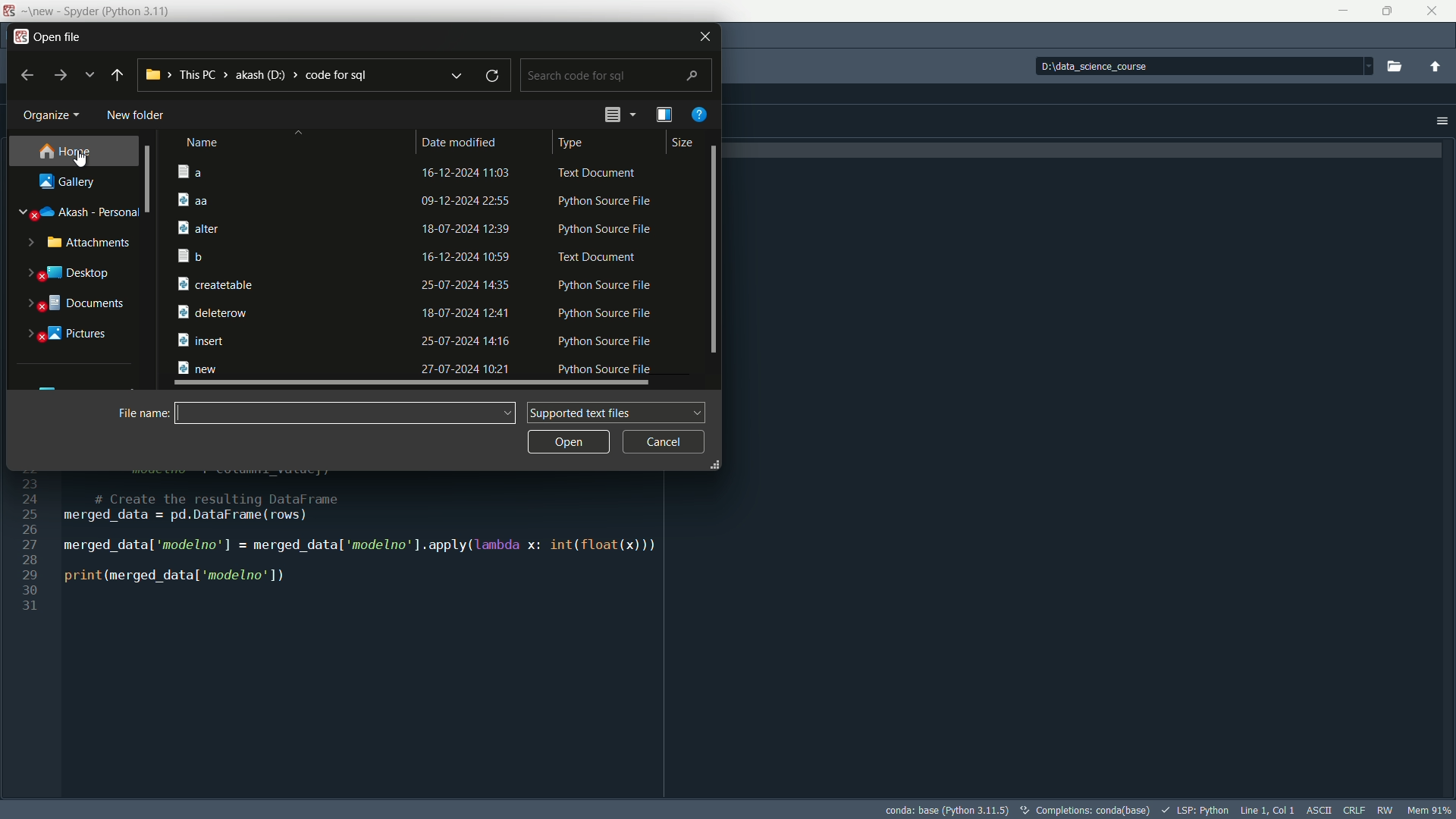  Describe the element at coordinates (135, 115) in the screenshot. I see `new folder` at that location.